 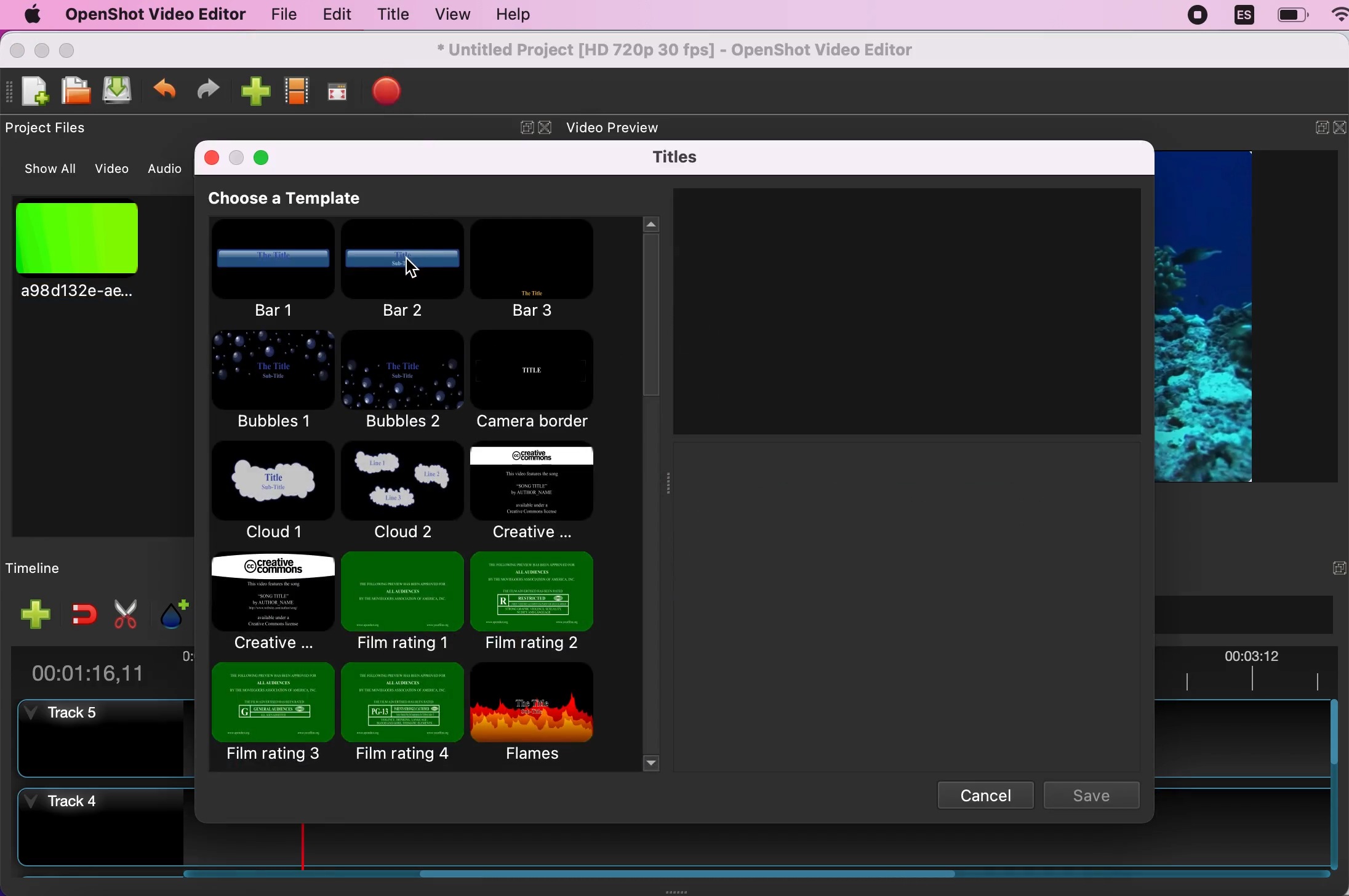 What do you see at coordinates (452, 14) in the screenshot?
I see `view` at bounding box center [452, 14].